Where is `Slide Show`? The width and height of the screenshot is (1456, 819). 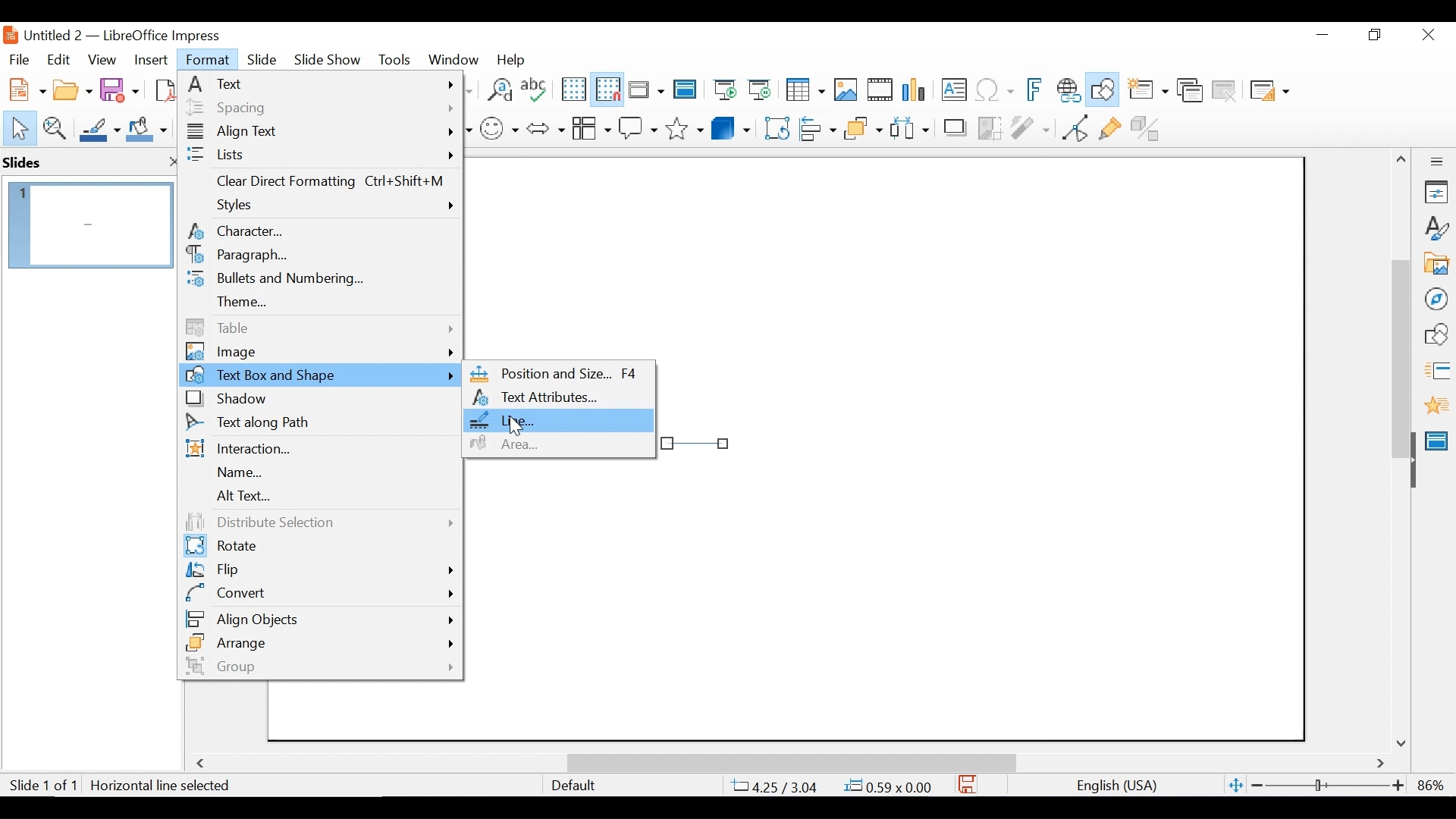 Slide Show is located at coordinates (328, 58).